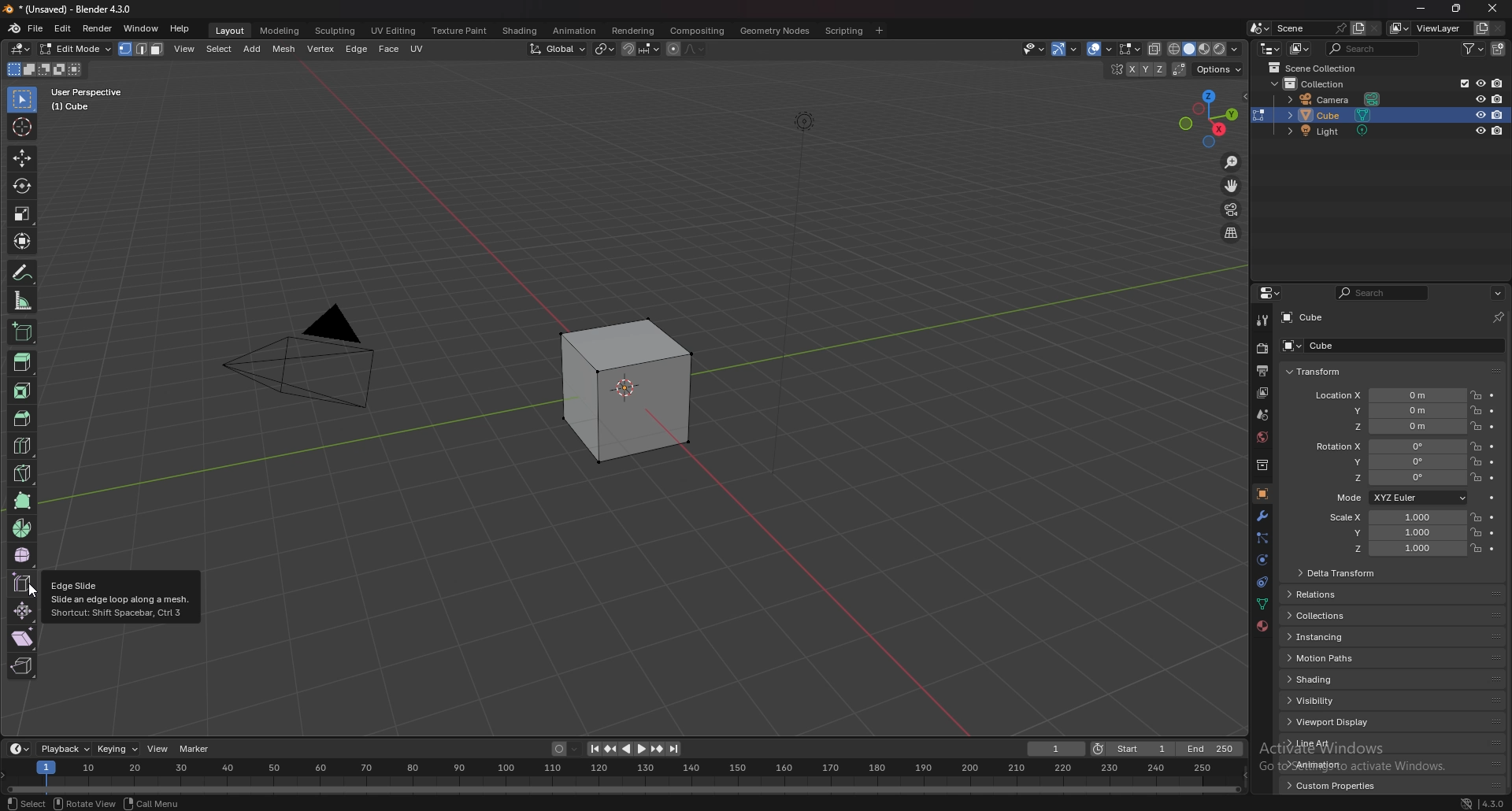 This screenshot has height=811, width=1512. Describe the element at coordinates (20, 49) in the screenshot. I see `editor type` at that location.